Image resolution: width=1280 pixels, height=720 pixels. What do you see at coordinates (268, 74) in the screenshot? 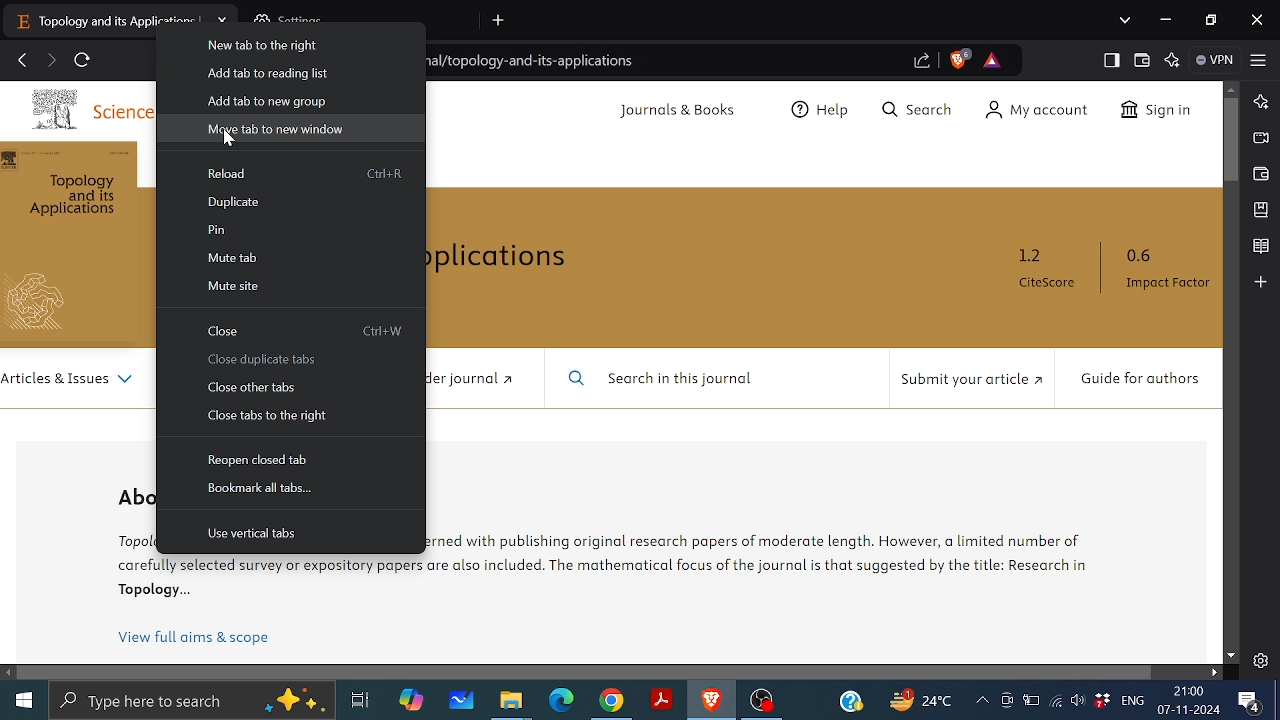
I see `Add tab to reading list` at bounding box center [268, 74].